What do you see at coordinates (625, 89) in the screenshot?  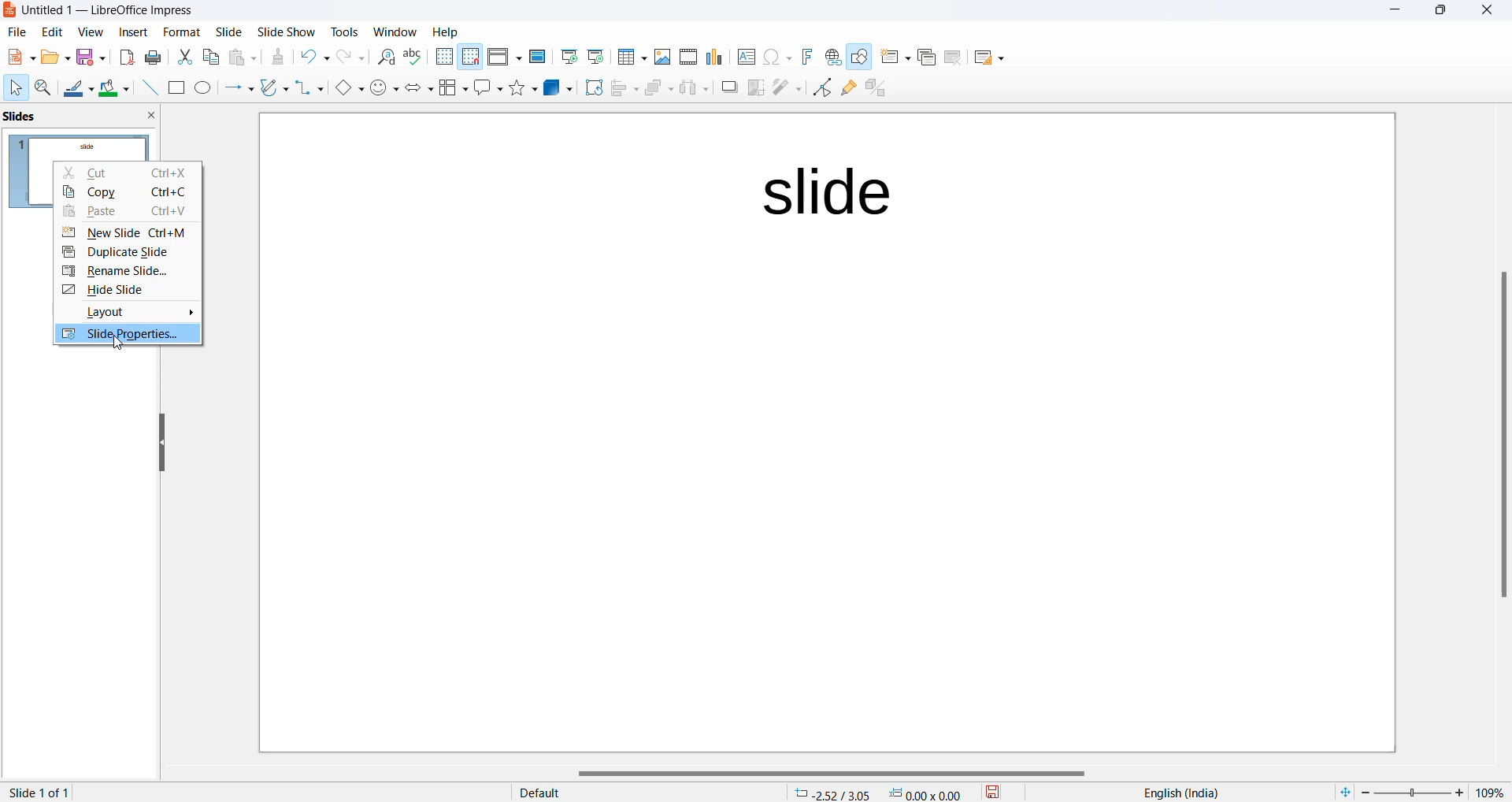 I see `align` at bounding box center [625, 89].